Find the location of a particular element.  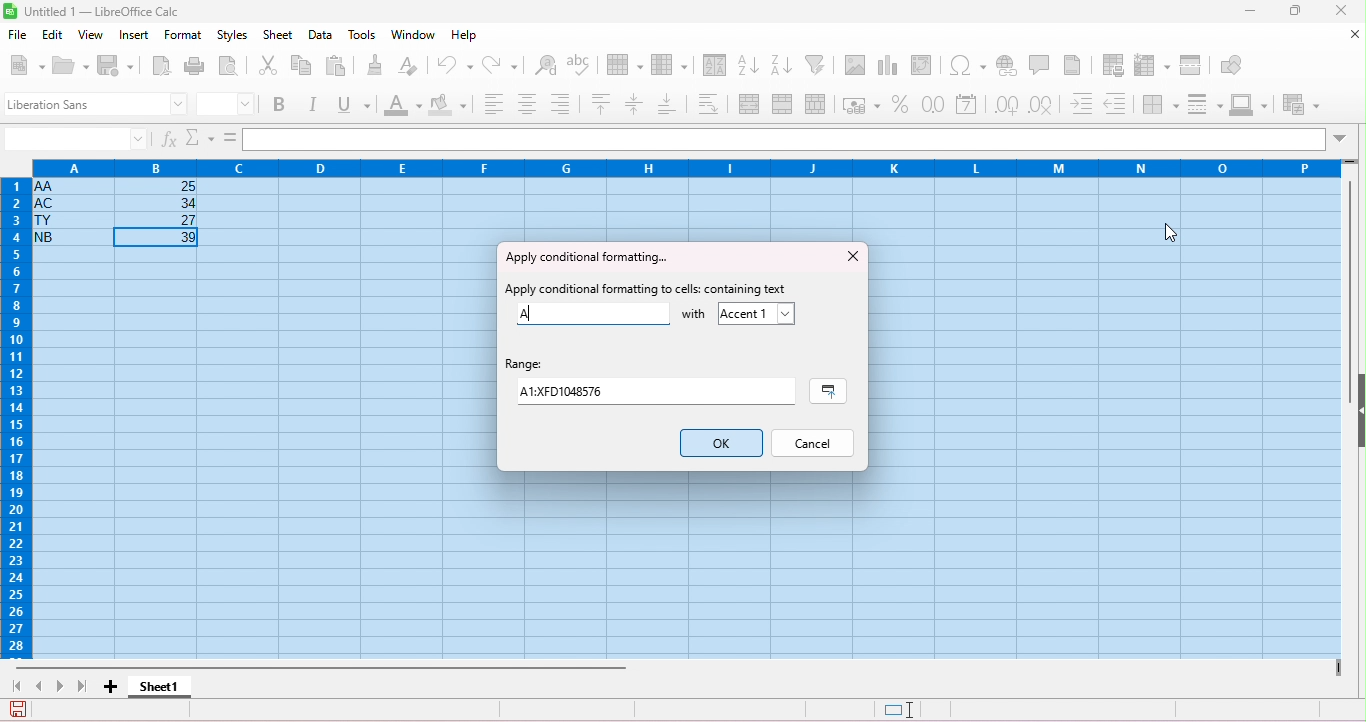

delete decimal is located at coordinates (1042, 106).